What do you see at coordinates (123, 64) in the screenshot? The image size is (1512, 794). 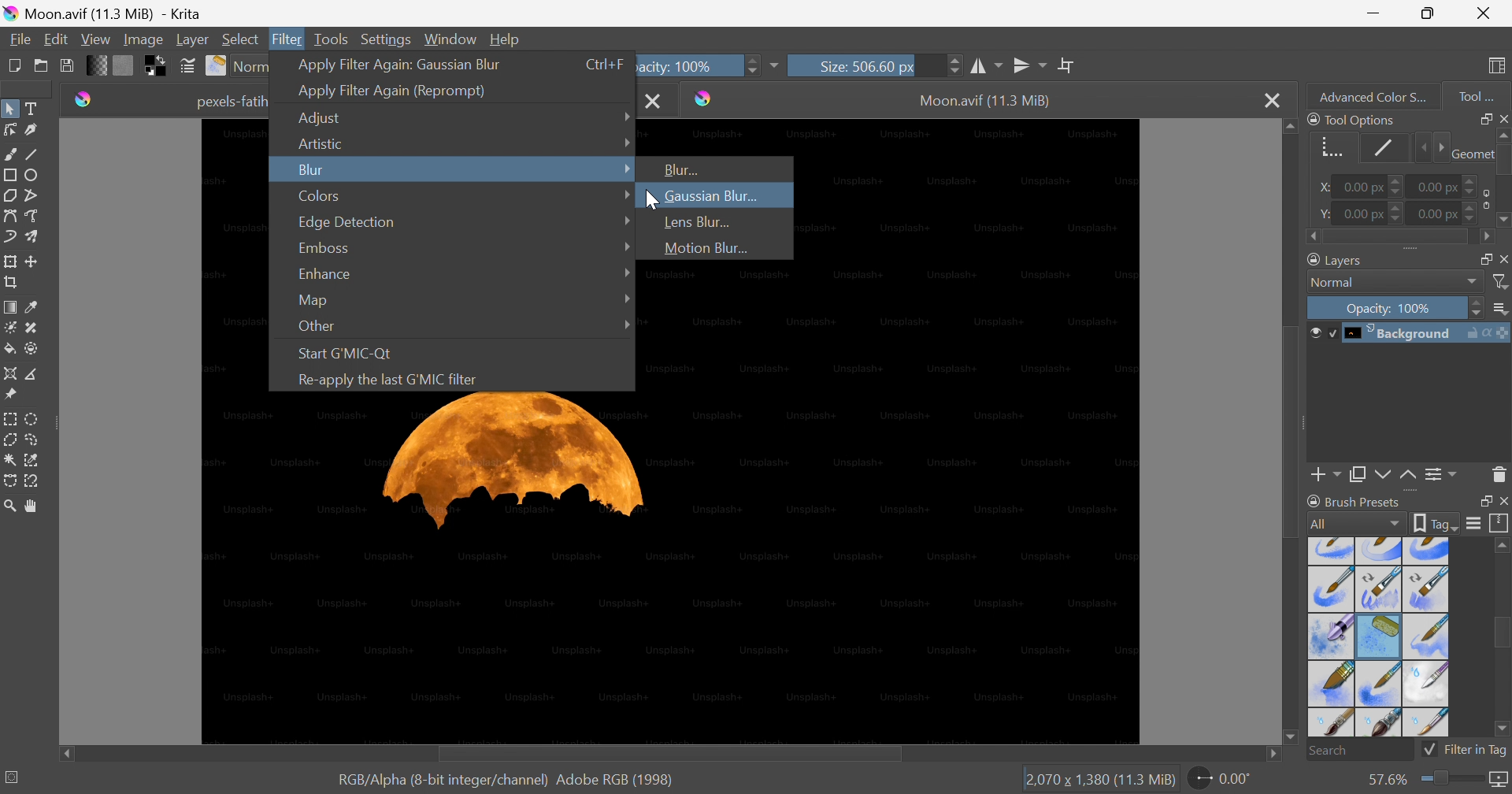 I see `Fill patterns` at bounding box center [123, 64].